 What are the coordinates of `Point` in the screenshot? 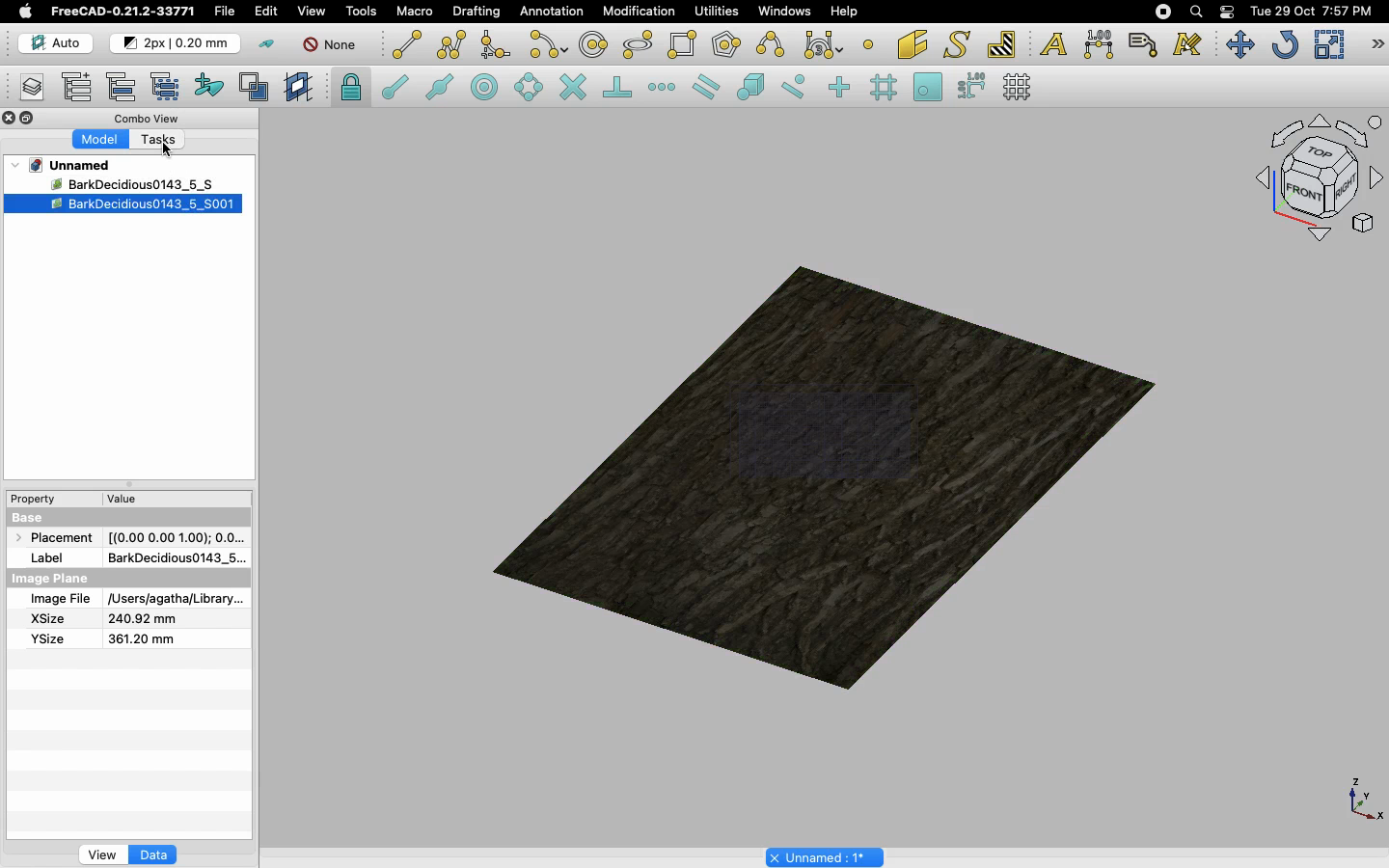 It's located at (868, 42).